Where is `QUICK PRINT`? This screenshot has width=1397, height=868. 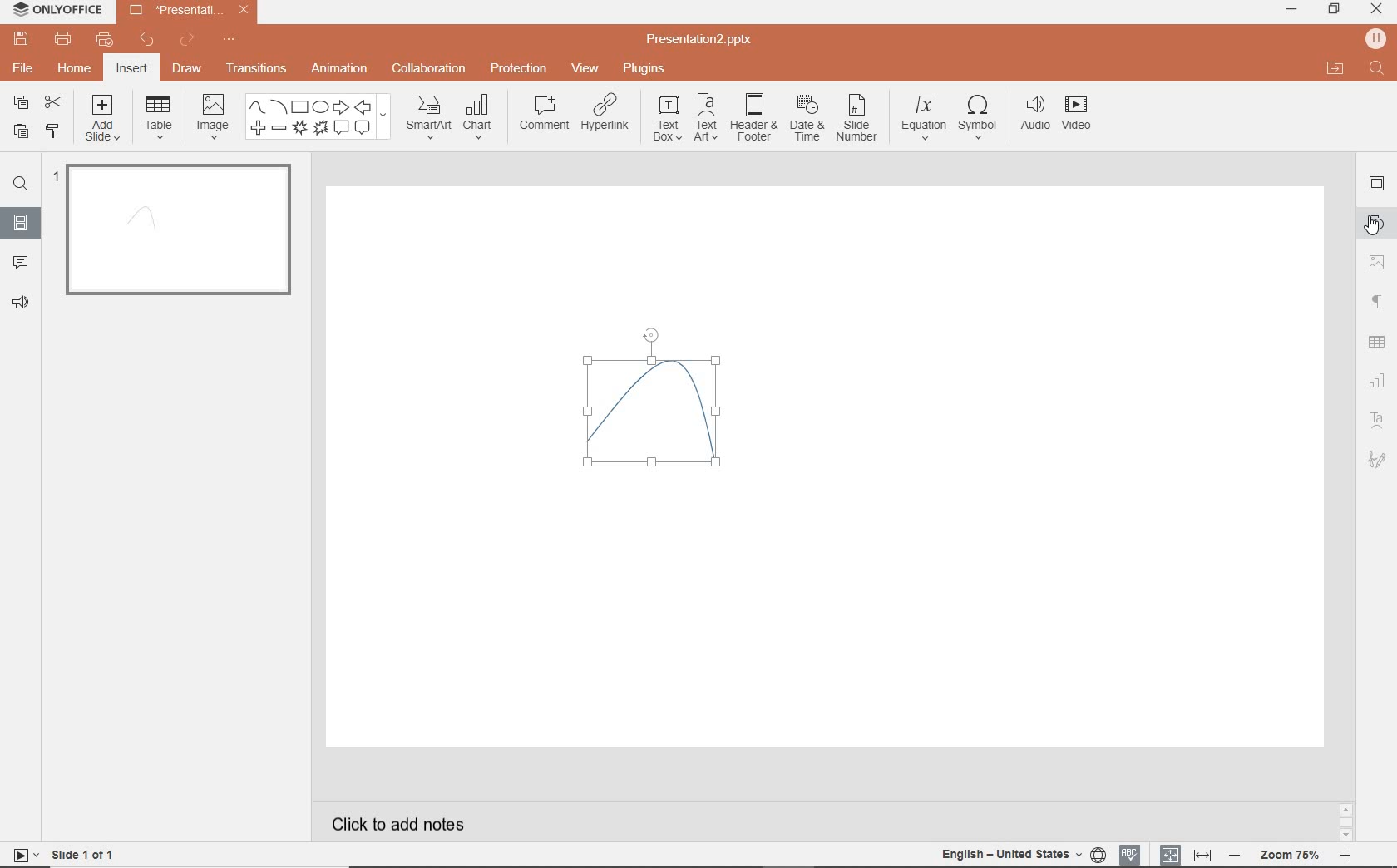 QUICK PRINT is located at coordinates (103, 40).